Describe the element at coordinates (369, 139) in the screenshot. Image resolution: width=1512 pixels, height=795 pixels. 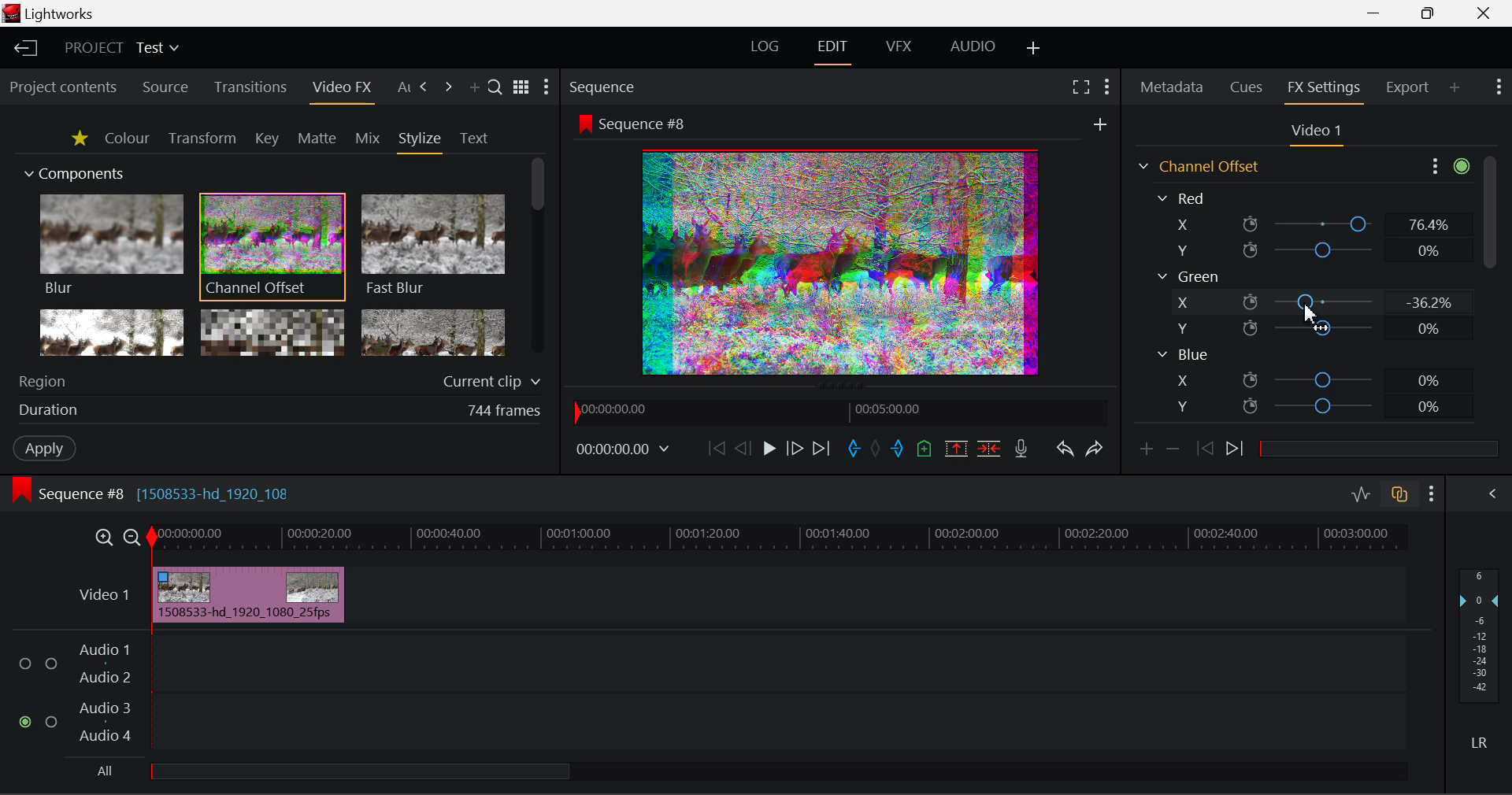
I see `Mix` at that location.